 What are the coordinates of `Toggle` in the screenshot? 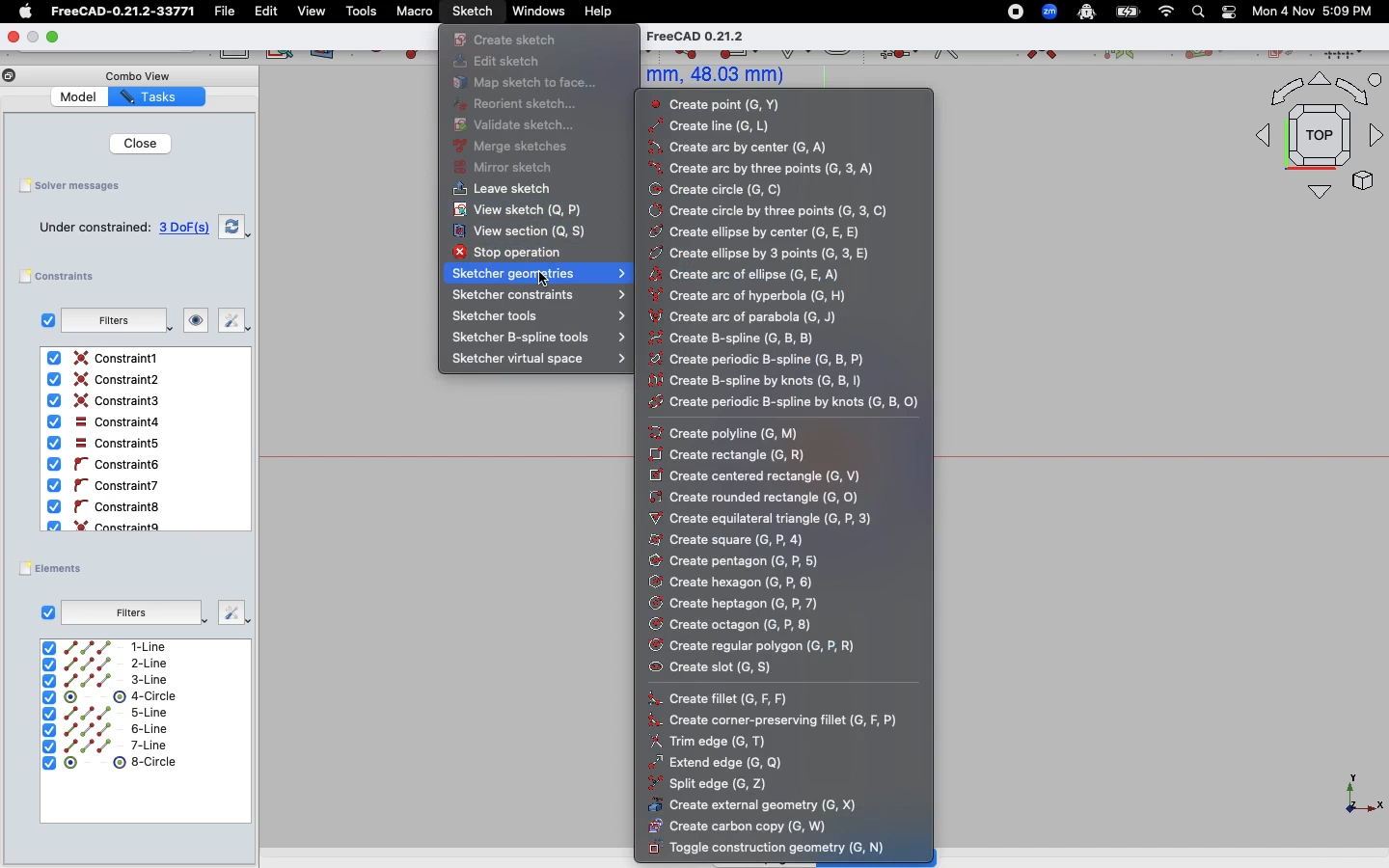 It's located at (1229, 12).